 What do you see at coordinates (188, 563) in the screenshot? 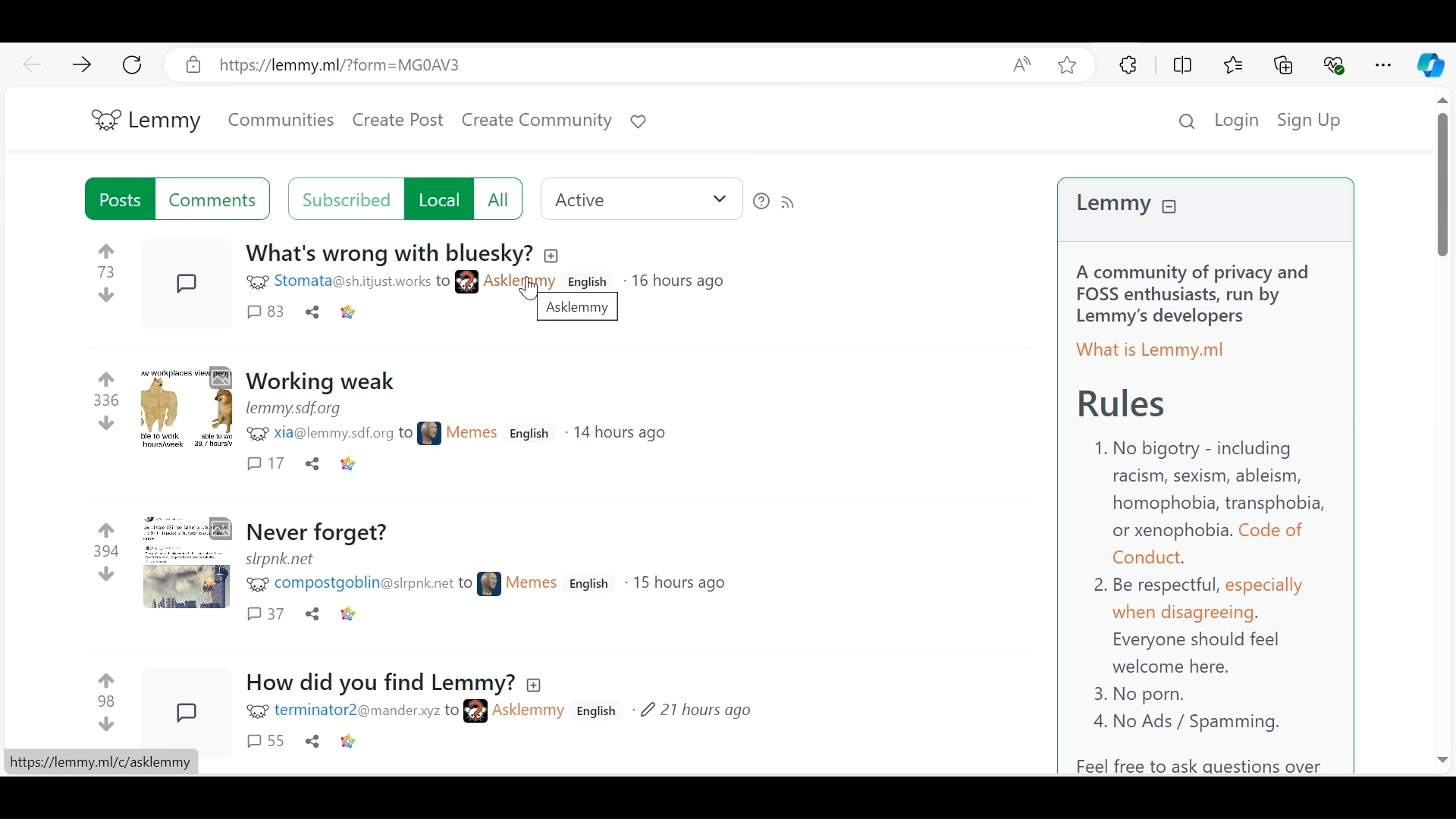
I see `Comments` at bounding box center [188, 563].